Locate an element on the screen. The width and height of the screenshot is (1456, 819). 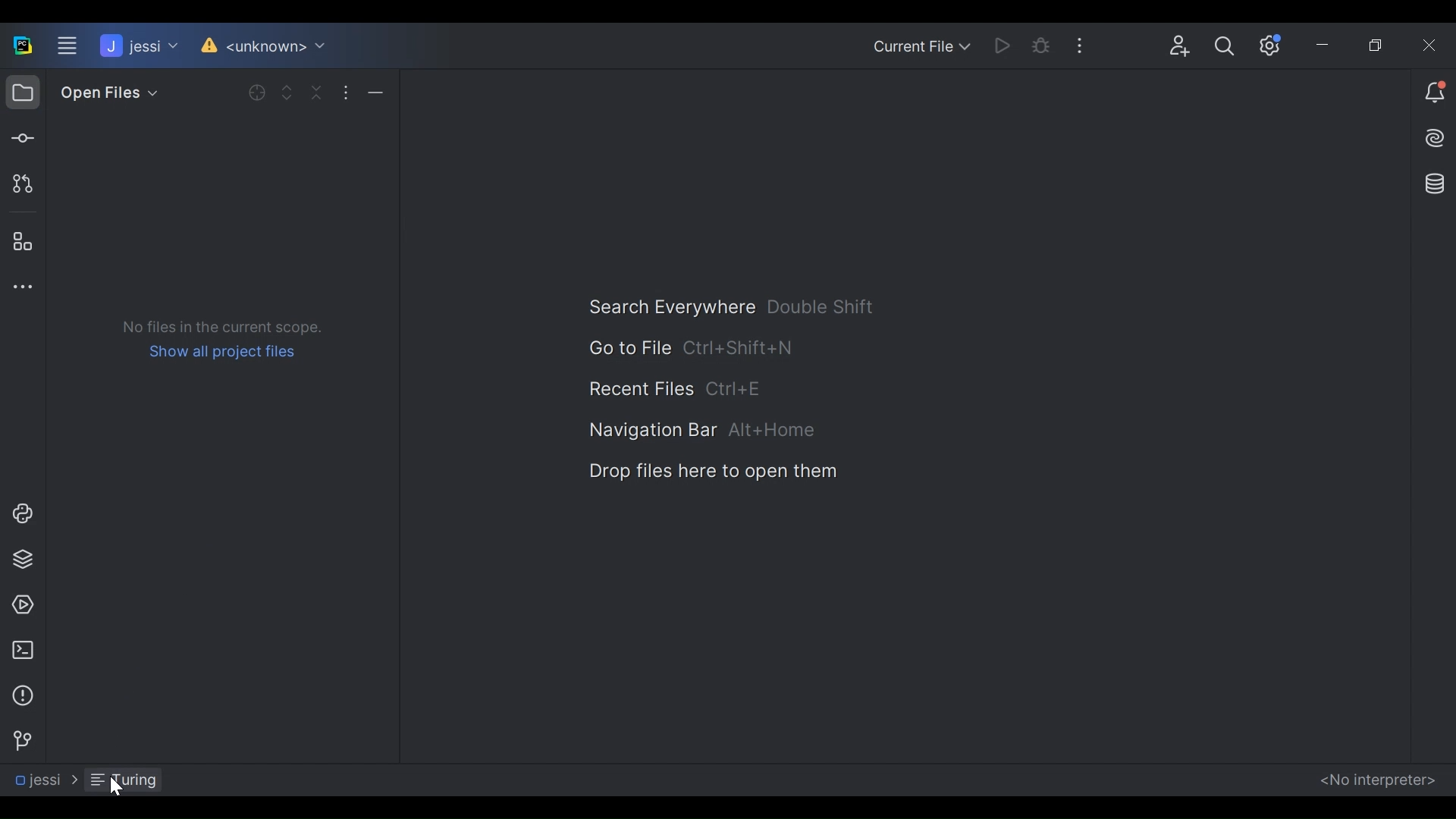
Drop files here to open here is located at coordinates (715, 471).